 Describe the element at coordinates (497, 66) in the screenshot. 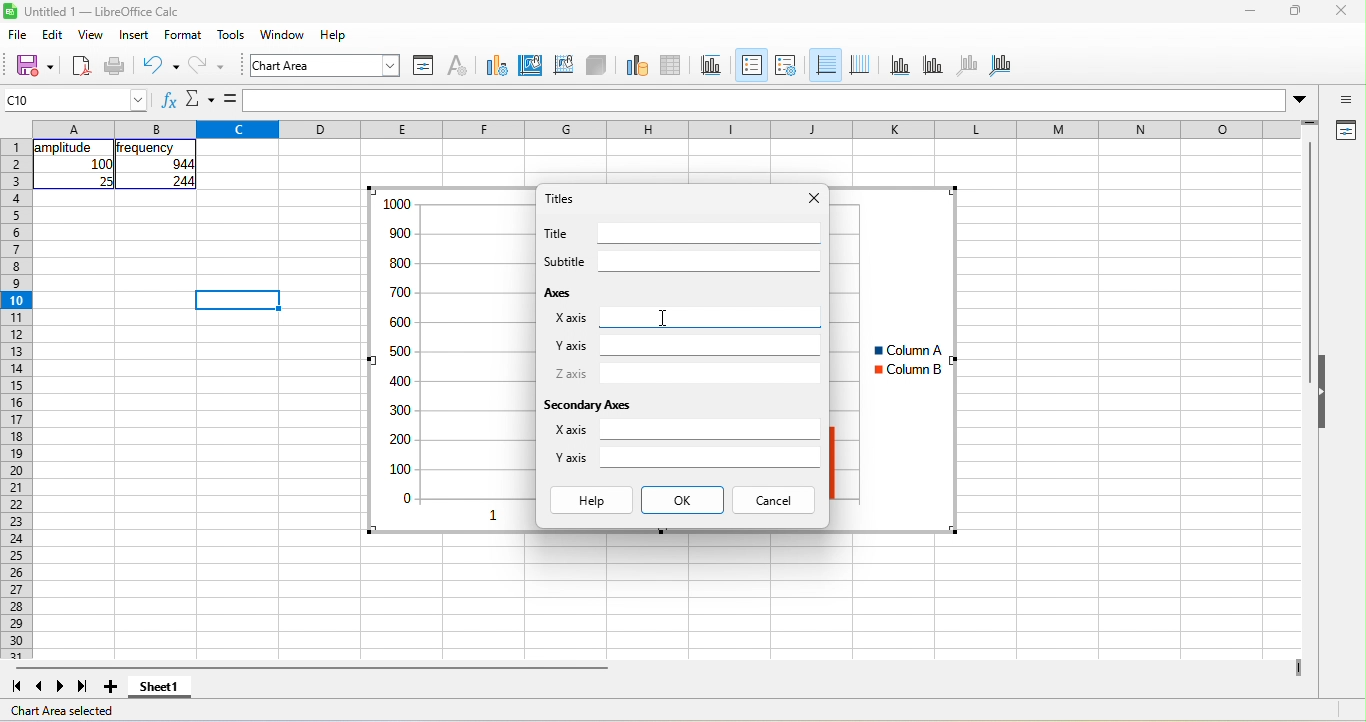

I see `chart type` at that location.